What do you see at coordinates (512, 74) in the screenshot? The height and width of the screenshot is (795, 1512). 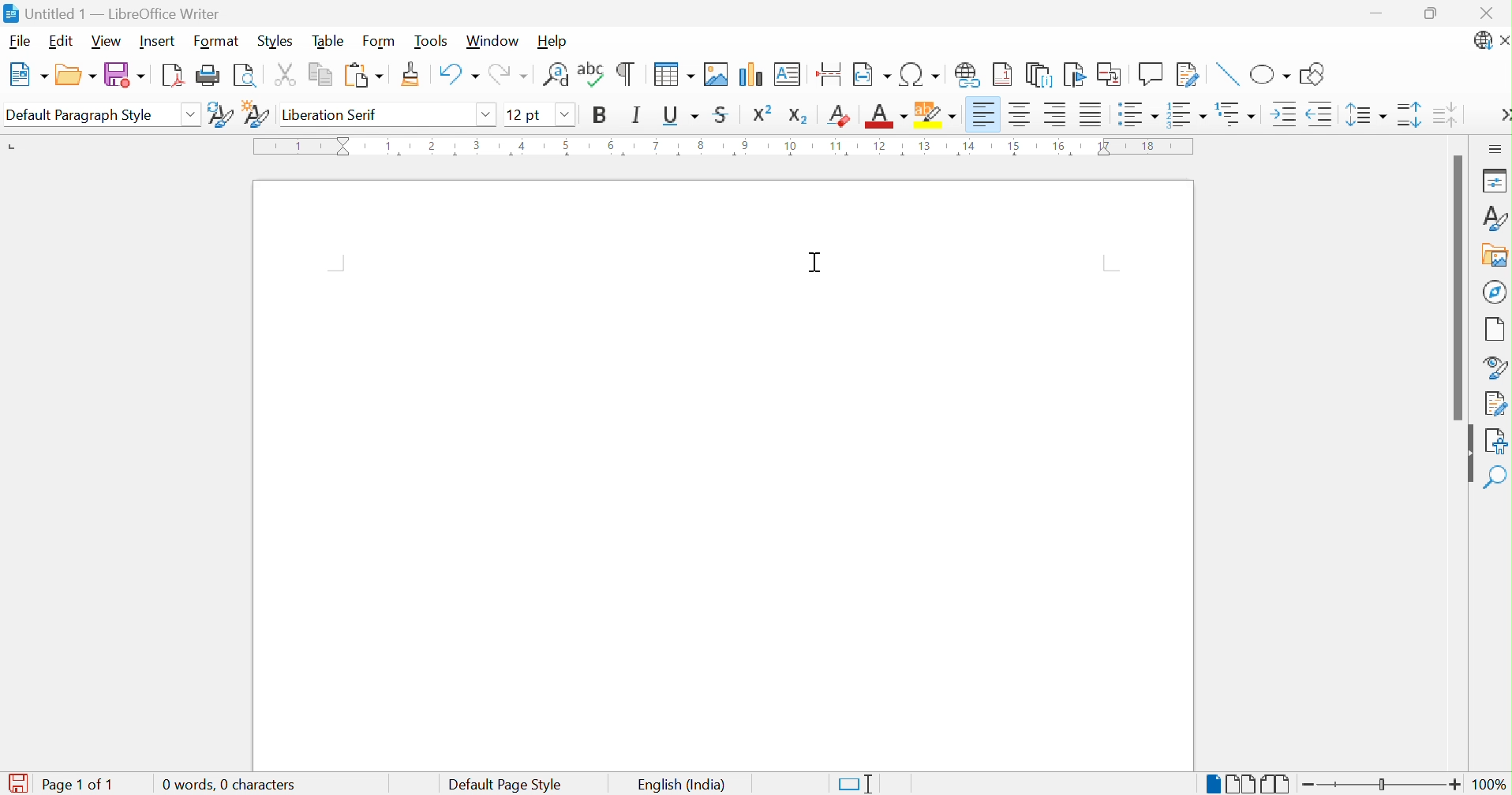 I see `Redo` at bounding box center [512, 74].